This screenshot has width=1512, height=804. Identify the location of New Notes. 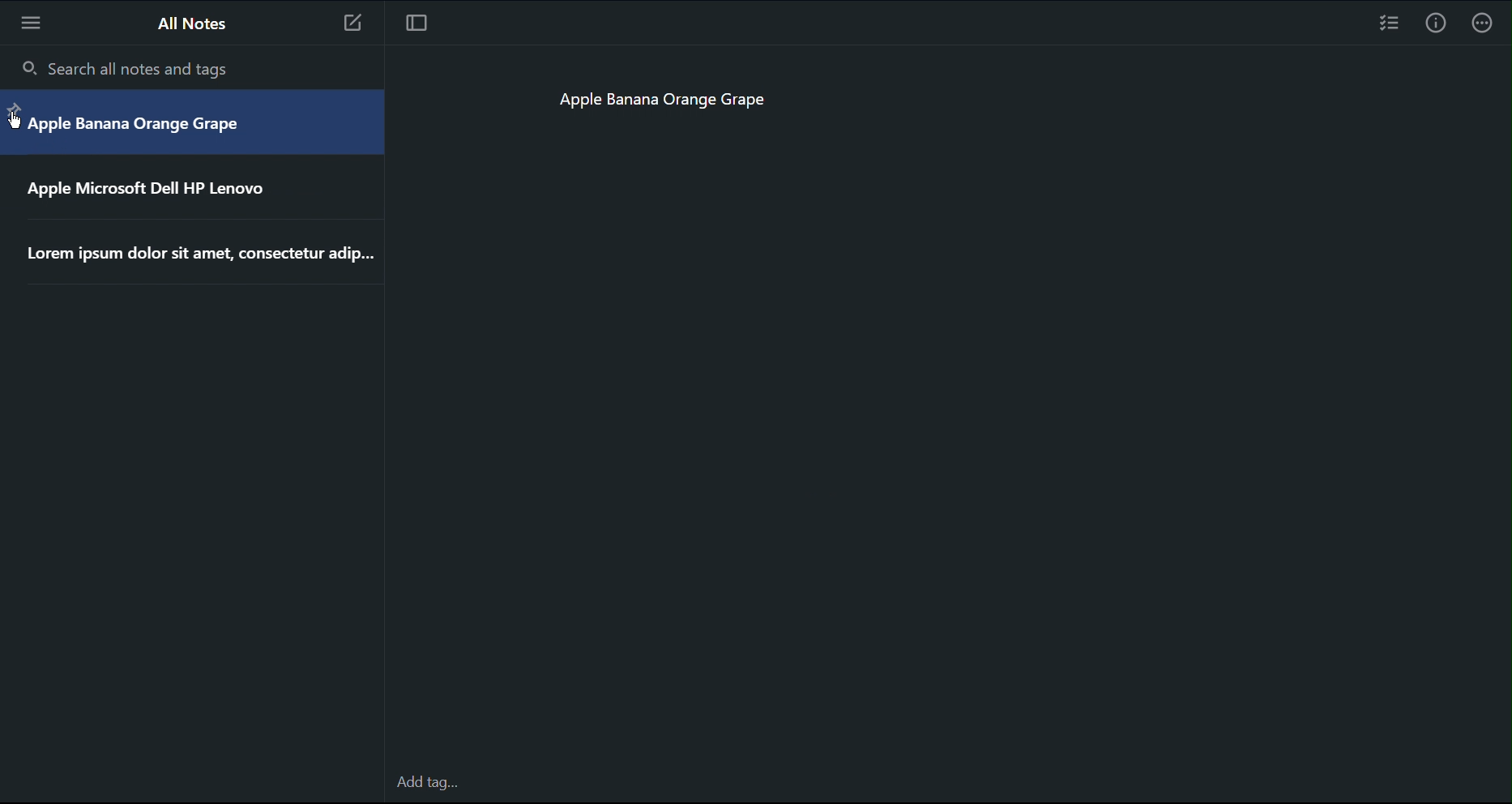
(359, 24).